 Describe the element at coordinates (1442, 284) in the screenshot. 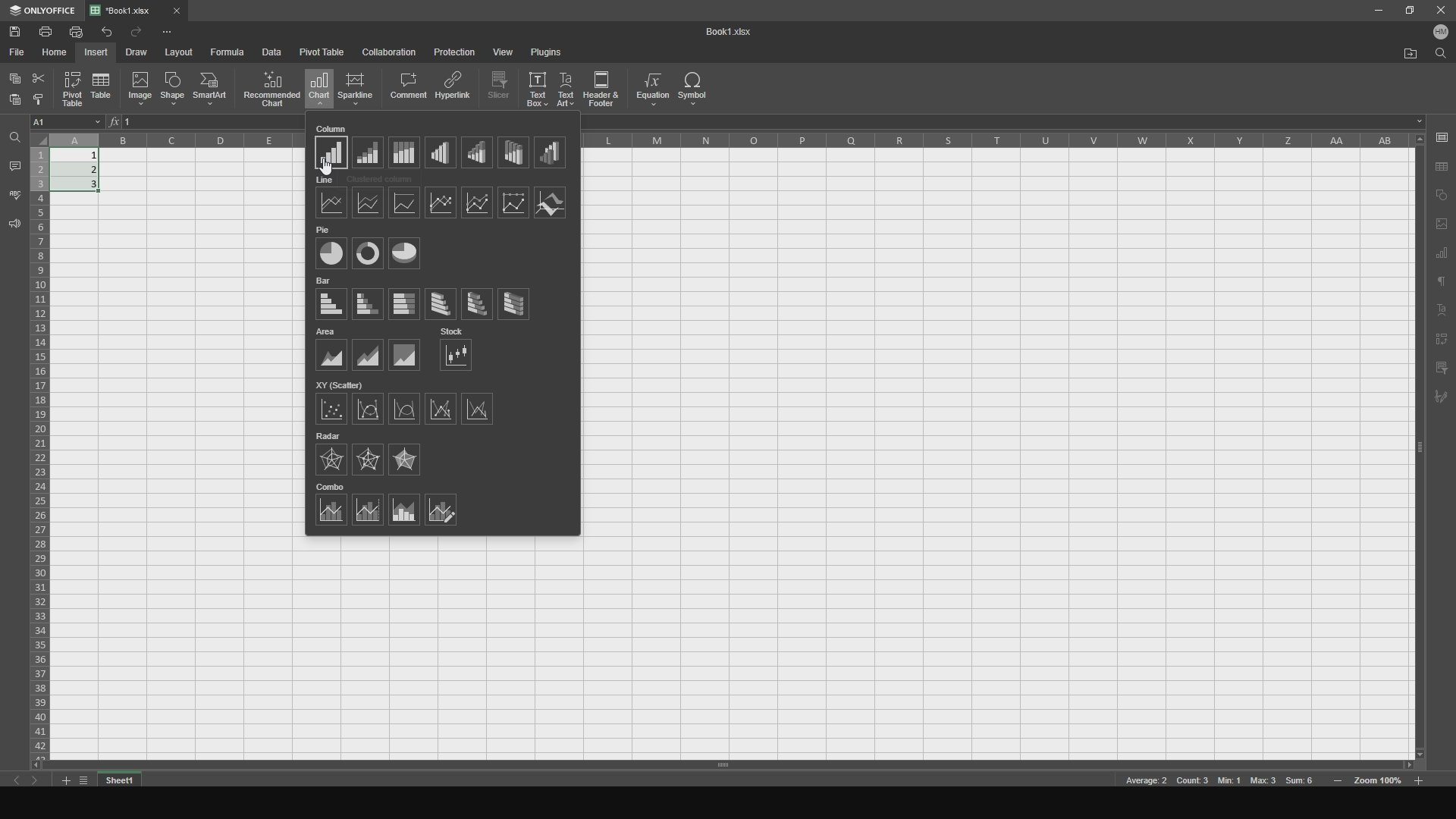

I see `text` at that location.